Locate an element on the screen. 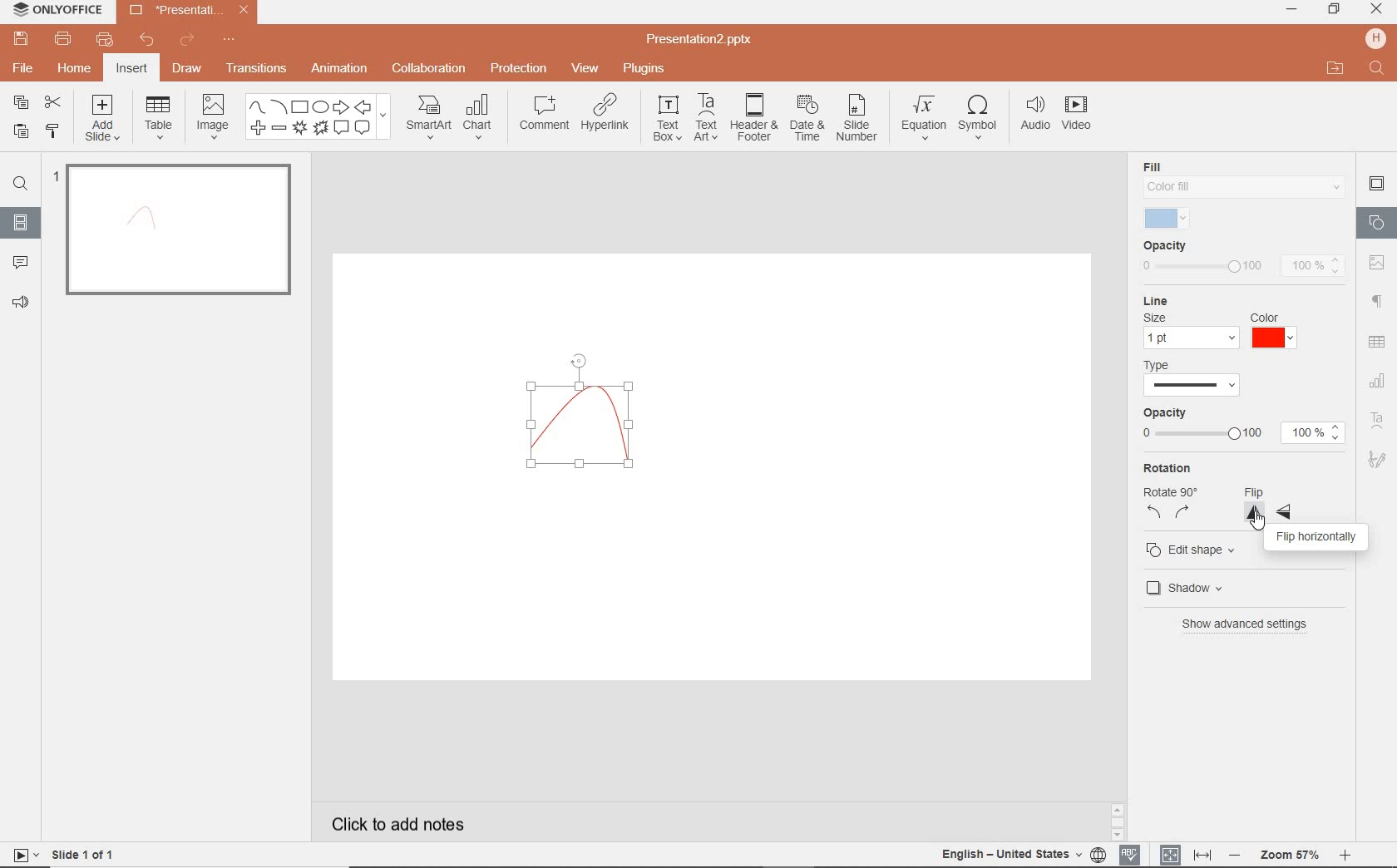  SIGNATURE is located at coordinates (1378, 461).